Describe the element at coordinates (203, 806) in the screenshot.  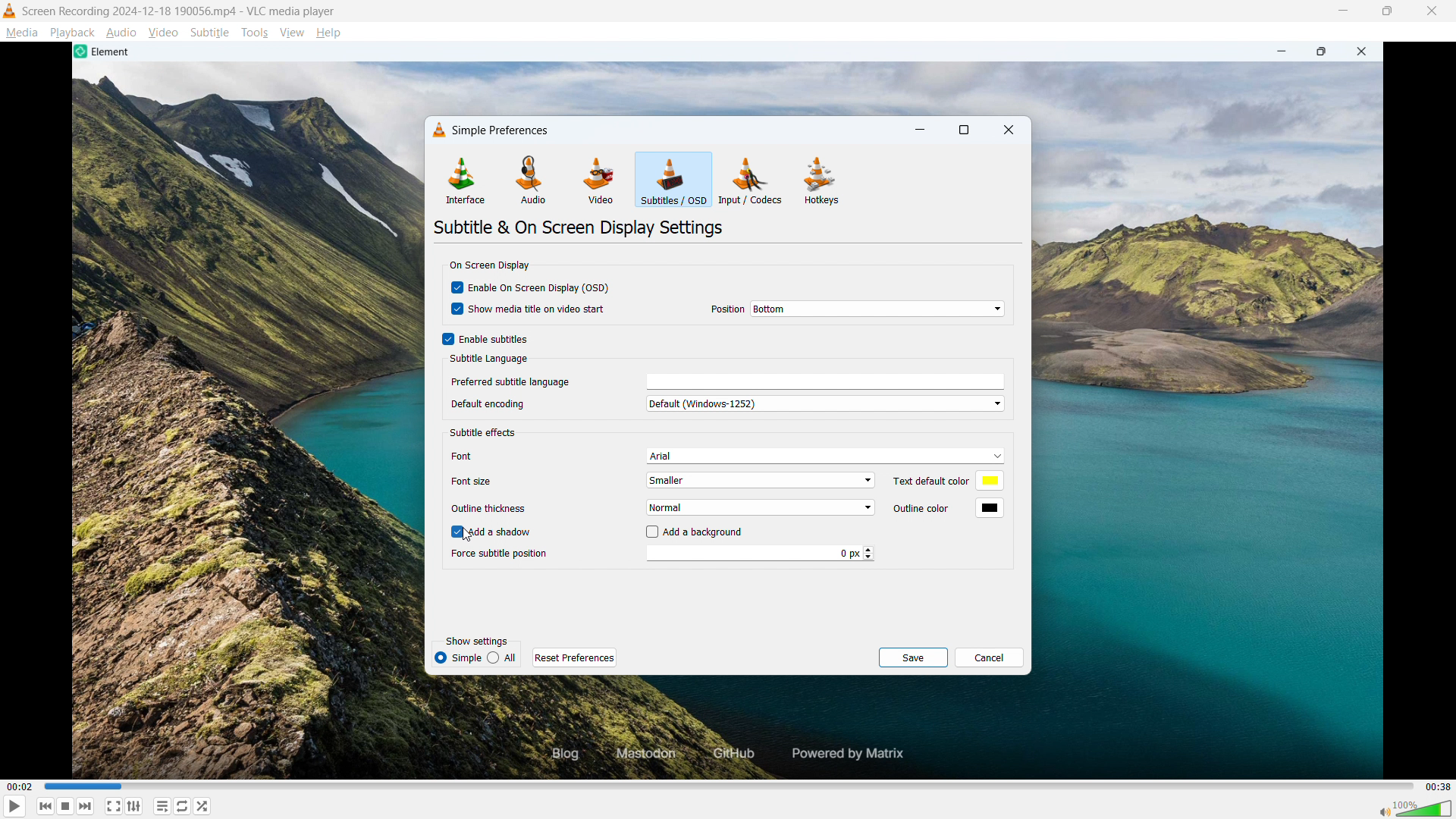
I see `random ` at that location.